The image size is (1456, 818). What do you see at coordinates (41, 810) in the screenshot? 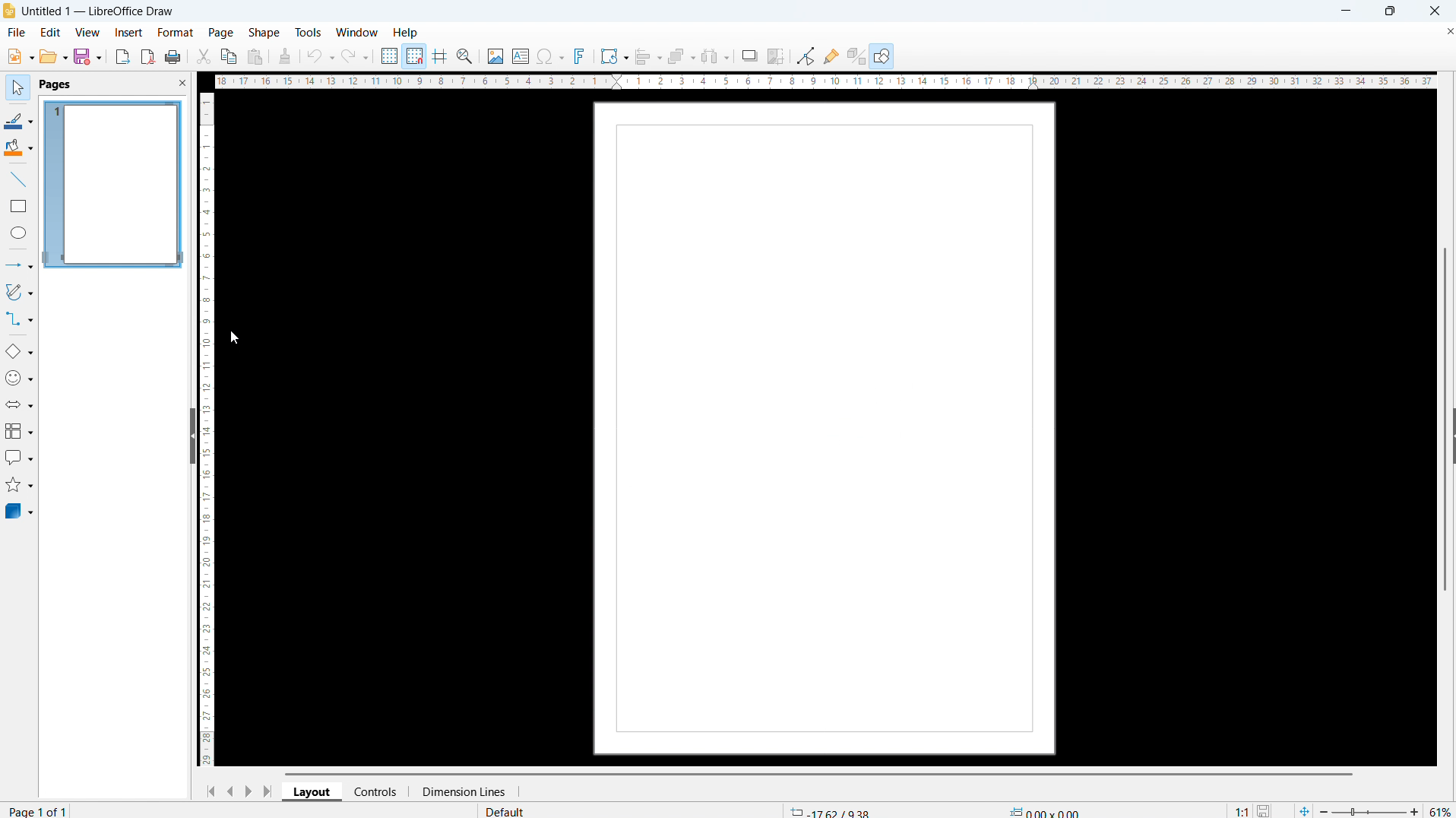
I see `page number` at bounding box center [41, 810].